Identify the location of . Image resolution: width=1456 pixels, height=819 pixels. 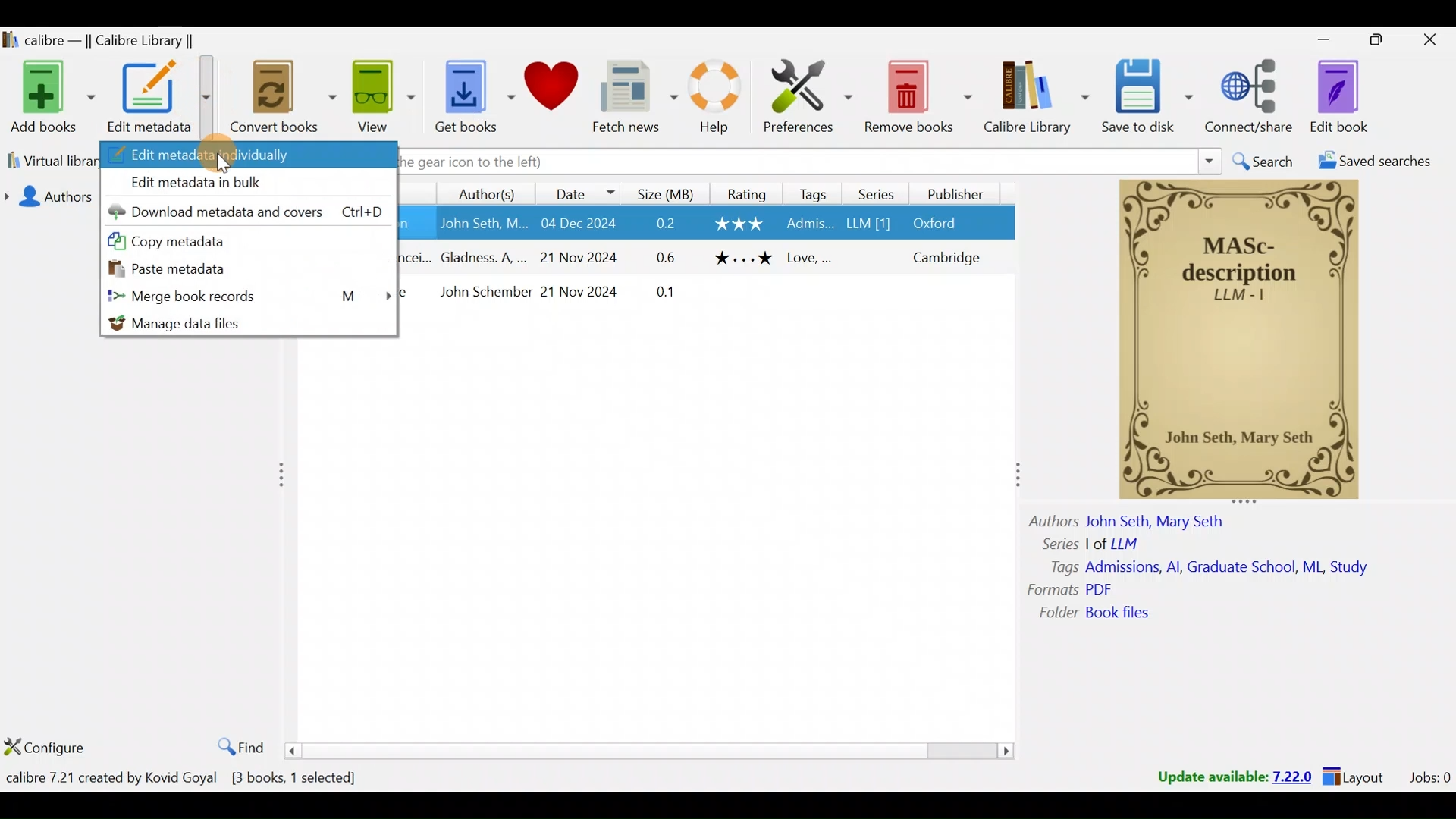
(482, 295).